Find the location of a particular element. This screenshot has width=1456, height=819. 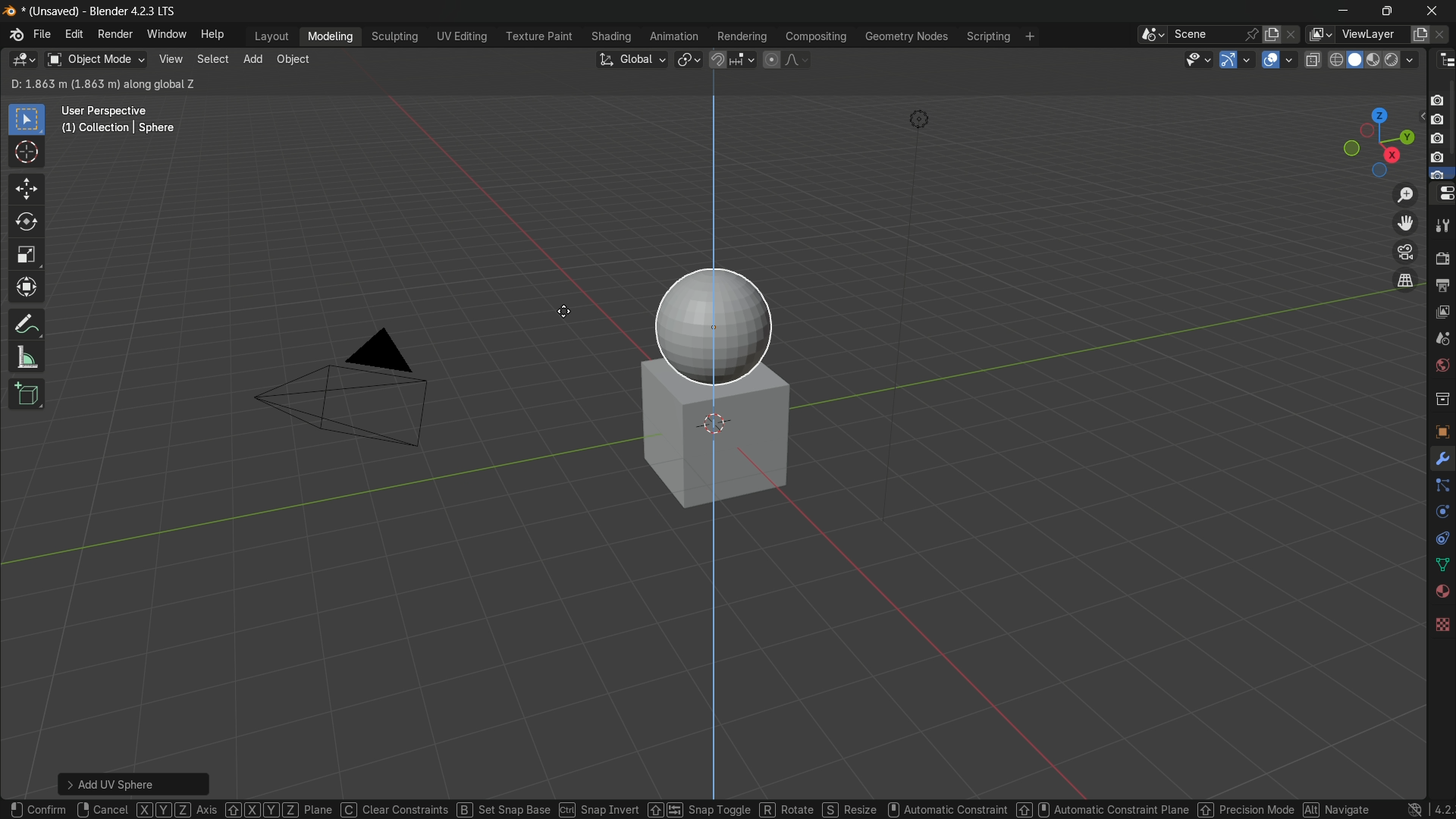

gizmos is located at coordinates (1250, 58).